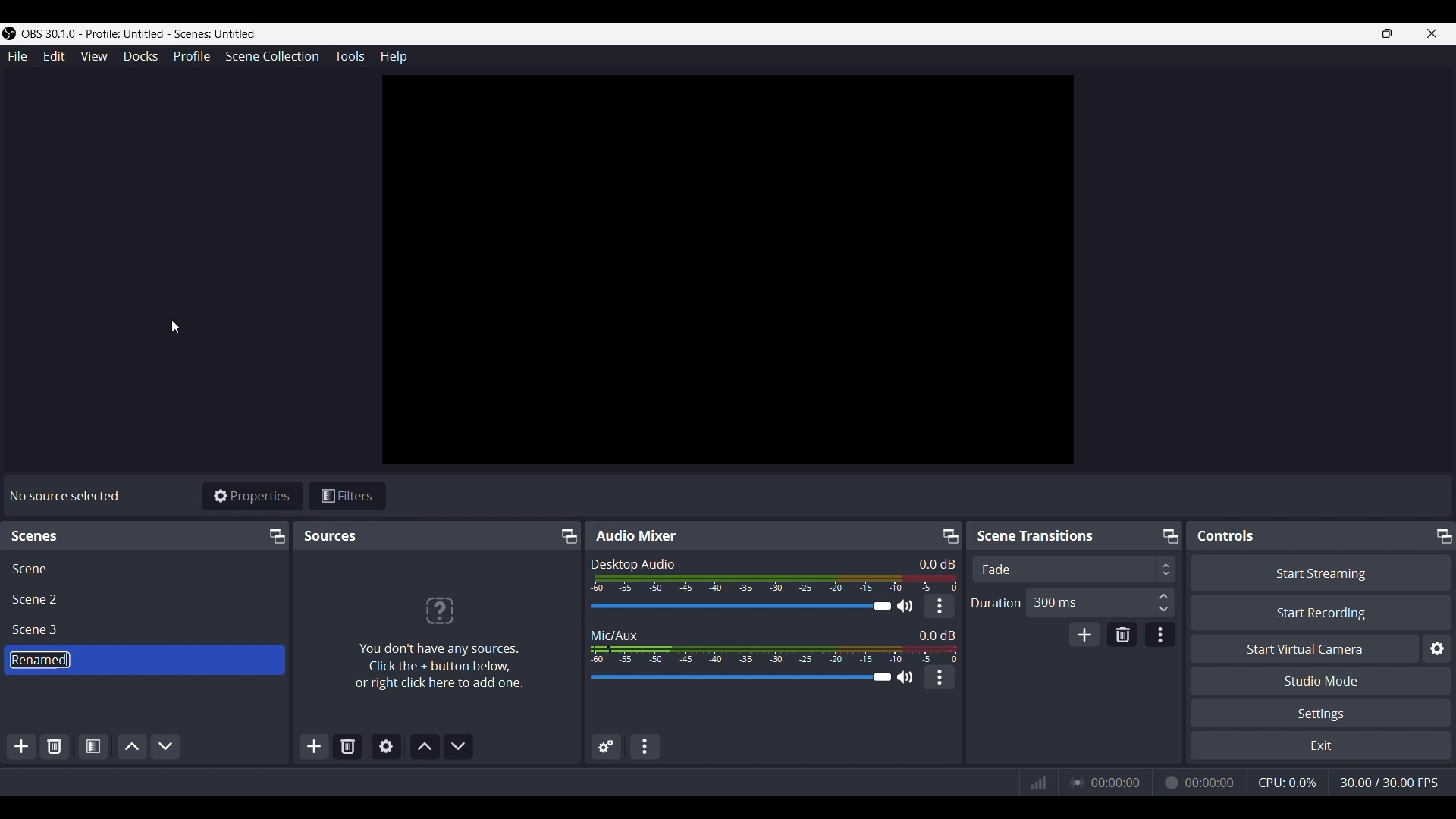 The image size is (1456, 819). What do you see at coordinates (1169, 783) in the screenshot?
I see `Recording Status Icon` at bounding box center [1169, 783].